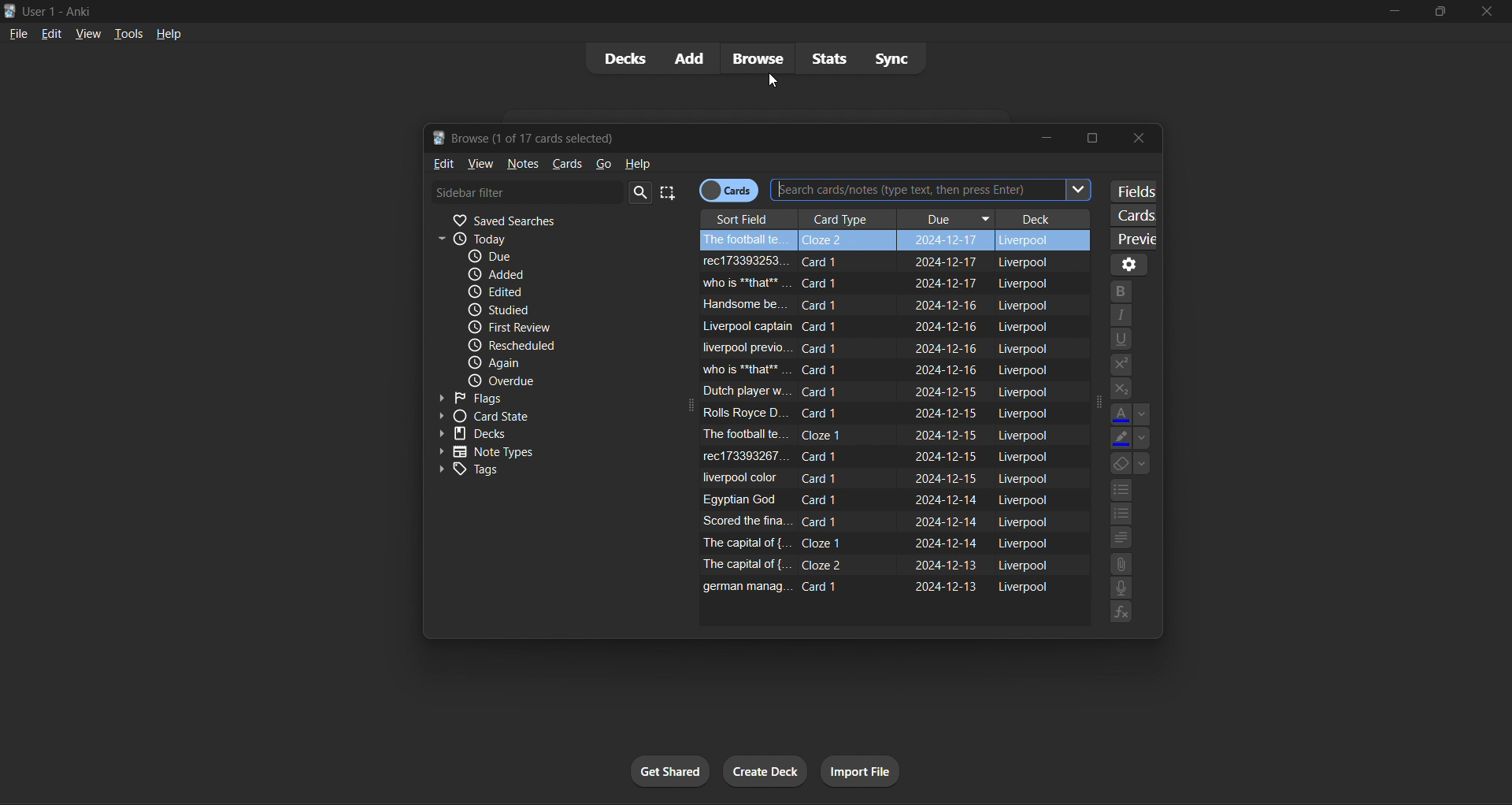 The height and width of the screenshot is (805, 1512). Describe the element at coordinates (1140, 136) in the screenshot. I see `close` at that location.